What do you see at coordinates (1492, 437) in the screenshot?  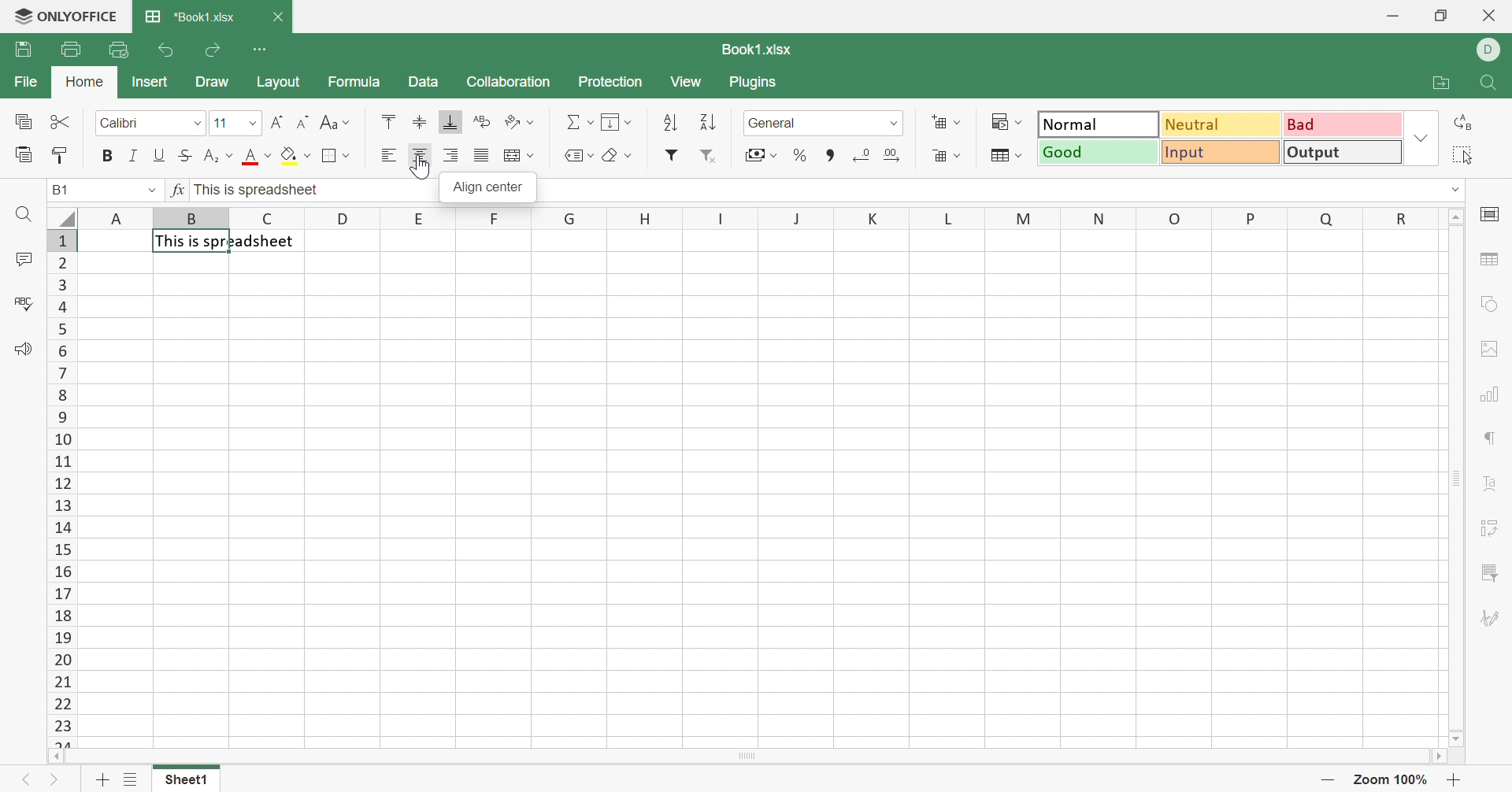 I see `paragraph settings` at bounding box center [1492, 437].